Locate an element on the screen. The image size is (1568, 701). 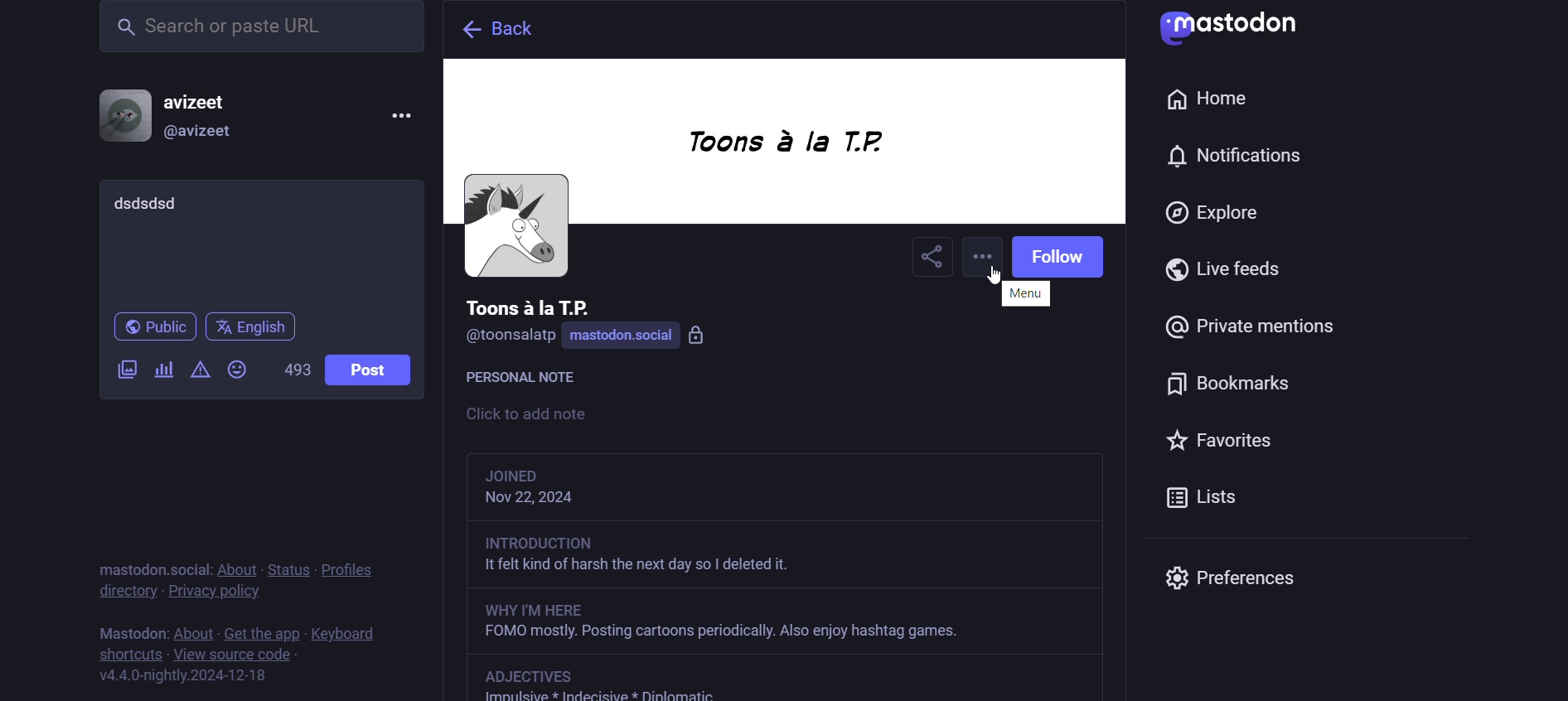
view source code is located at coordinates (239, 656).